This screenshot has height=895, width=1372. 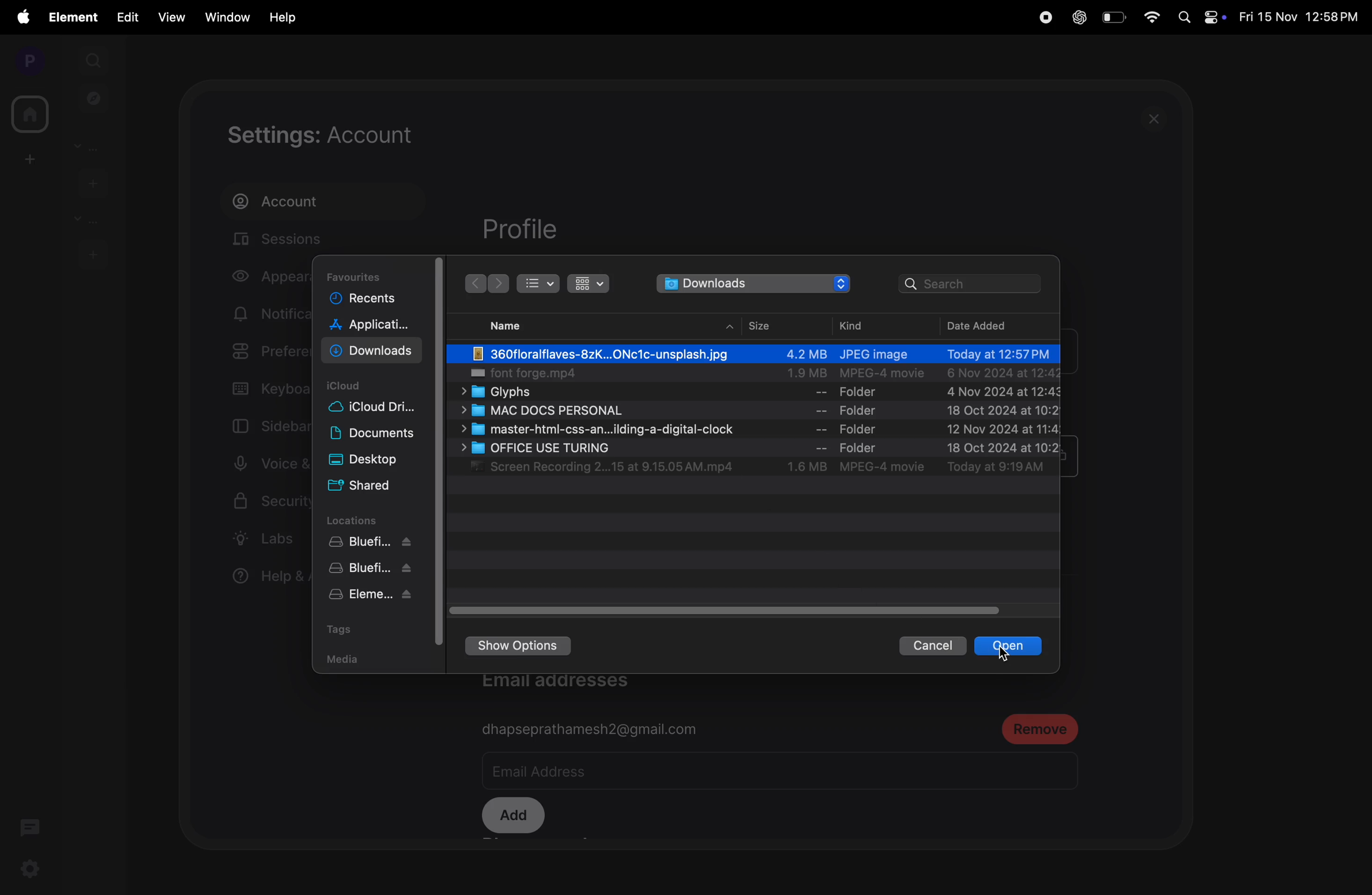 What do you see at coordinates (568, 686) in the screenshot?
I see `email addresses` at bounding box center [568, 686].